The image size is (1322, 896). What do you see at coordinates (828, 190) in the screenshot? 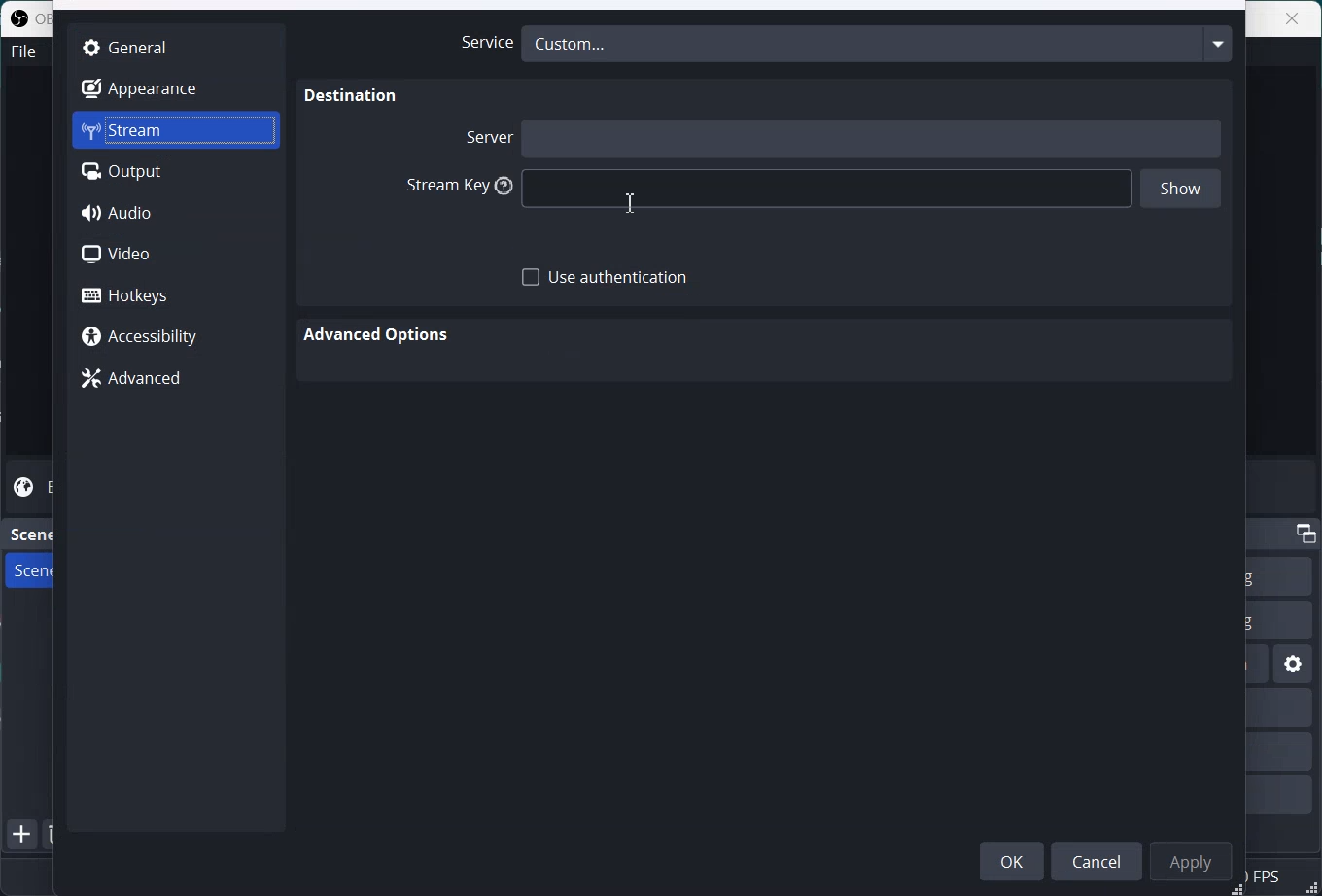
I see `Stream key input` at bounding box center [828, 190].